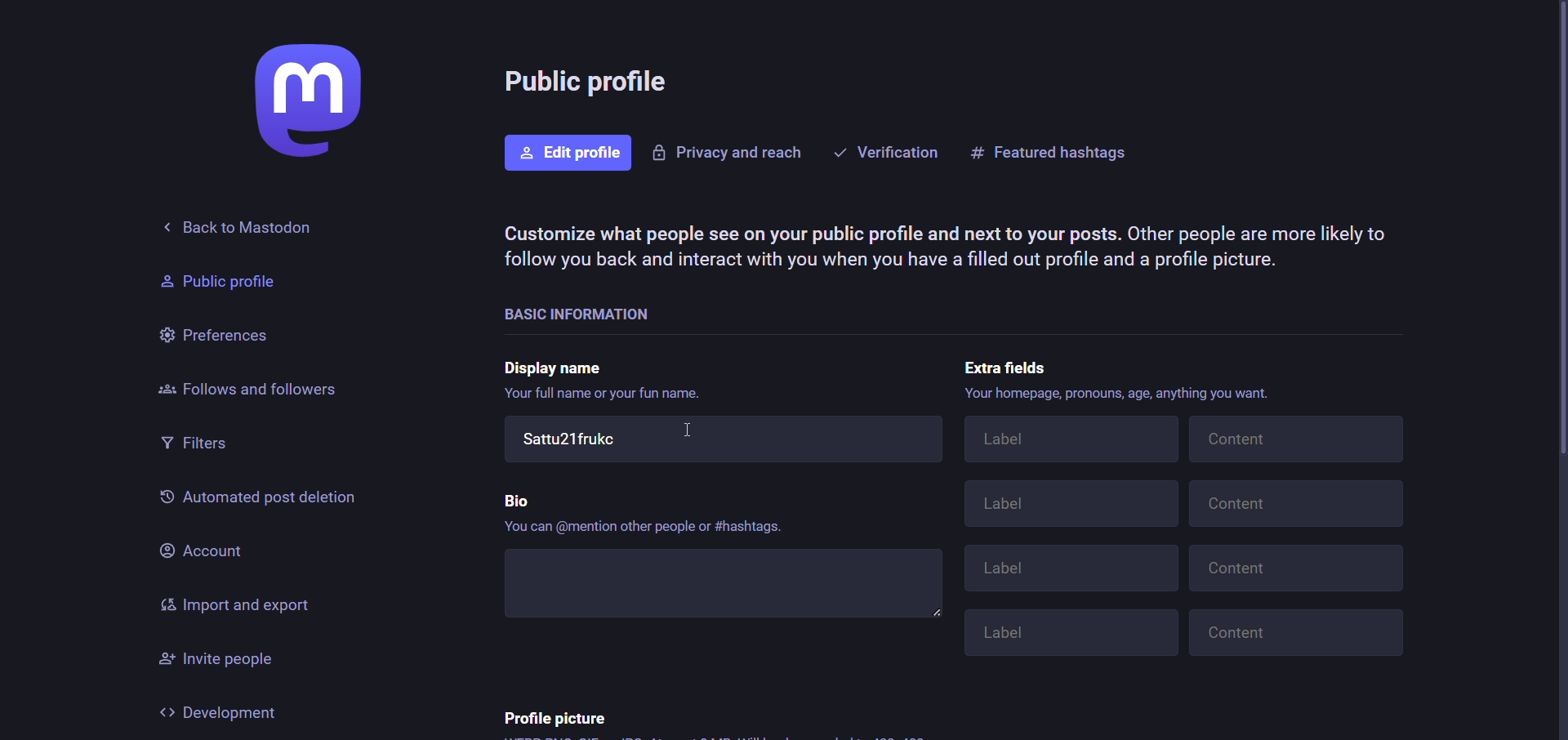 Image resolution: width=1568 pixels, height=740 pixels. What do you see at coordinates (236, 606) in the screenshot?
I see `import and export` at bounding box center [236, 606].